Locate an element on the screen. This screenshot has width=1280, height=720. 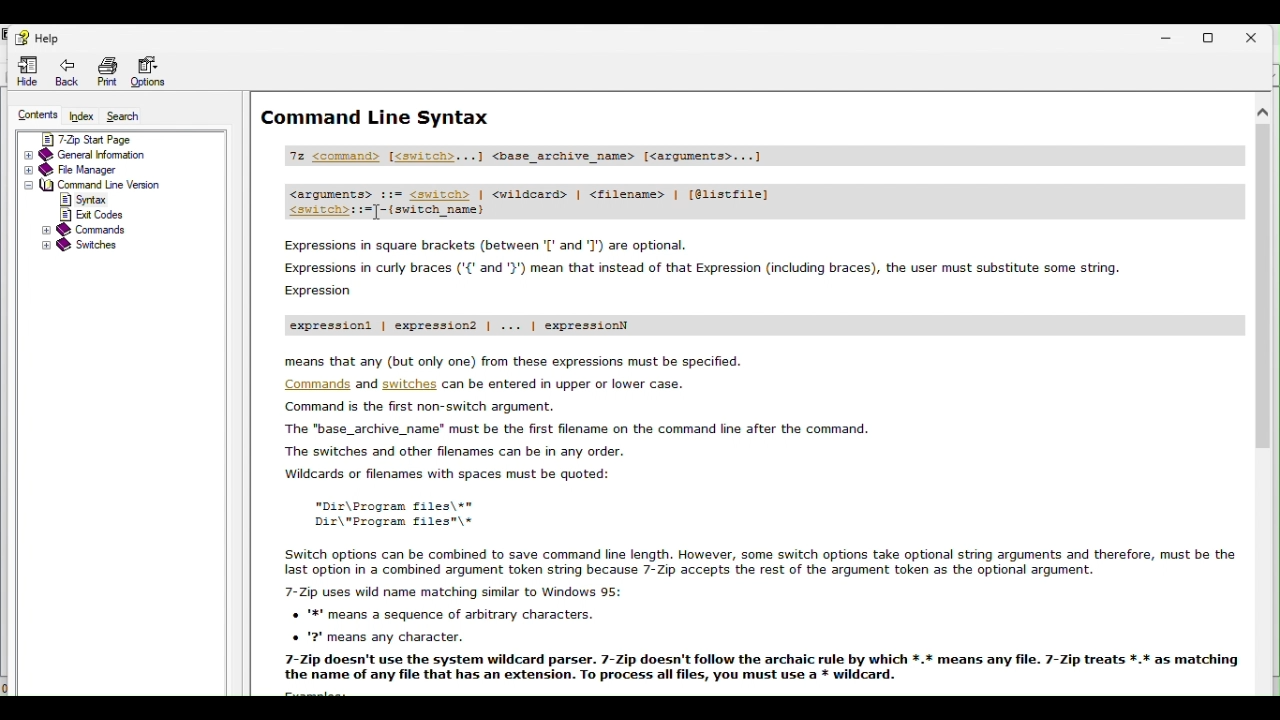
close is located at coordinates (1257, 36).